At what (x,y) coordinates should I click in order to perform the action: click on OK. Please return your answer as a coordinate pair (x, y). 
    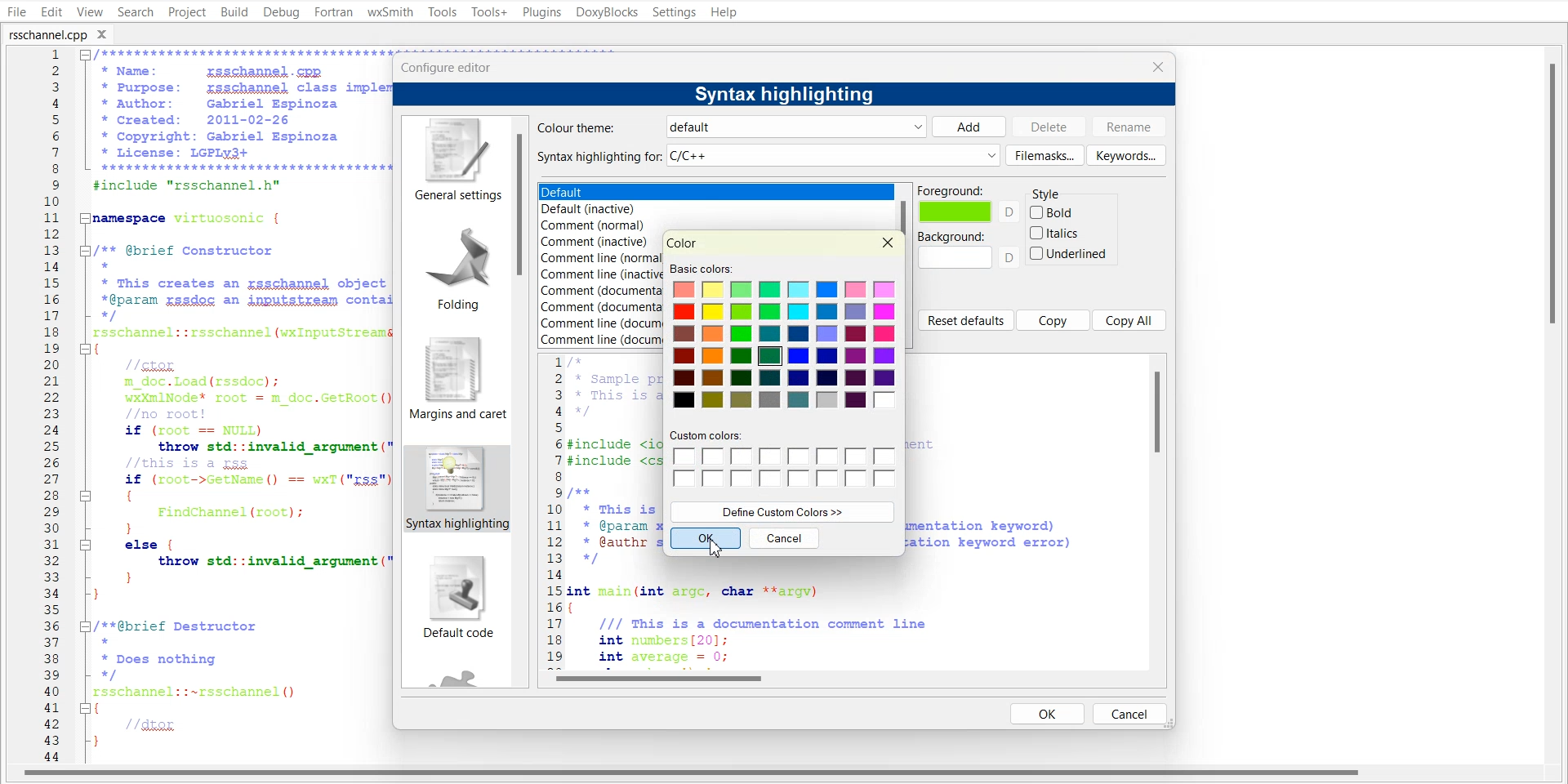
    Looking at the image, I should click on (1048, 713).